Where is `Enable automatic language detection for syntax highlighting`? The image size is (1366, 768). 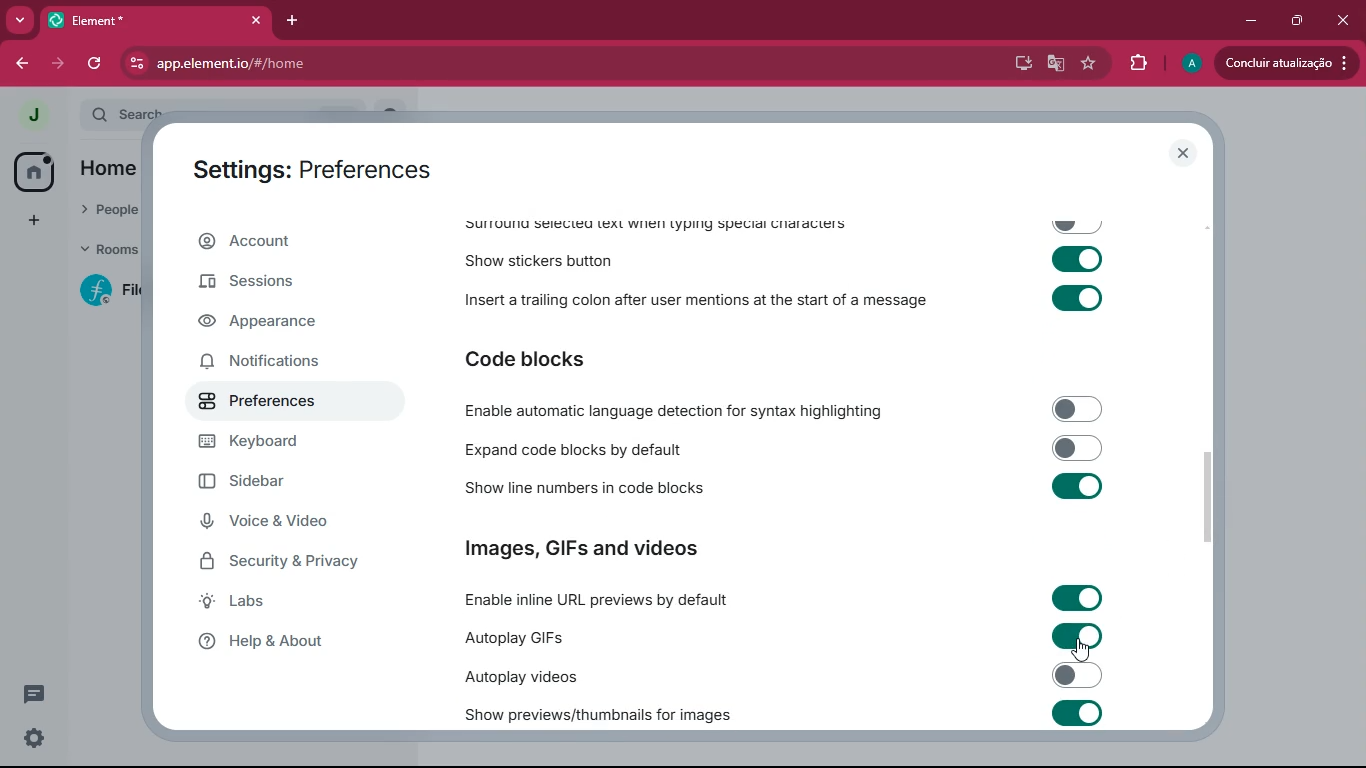 Enable automatic language detection for syntax highlighting is located at coordinates (781, 409).